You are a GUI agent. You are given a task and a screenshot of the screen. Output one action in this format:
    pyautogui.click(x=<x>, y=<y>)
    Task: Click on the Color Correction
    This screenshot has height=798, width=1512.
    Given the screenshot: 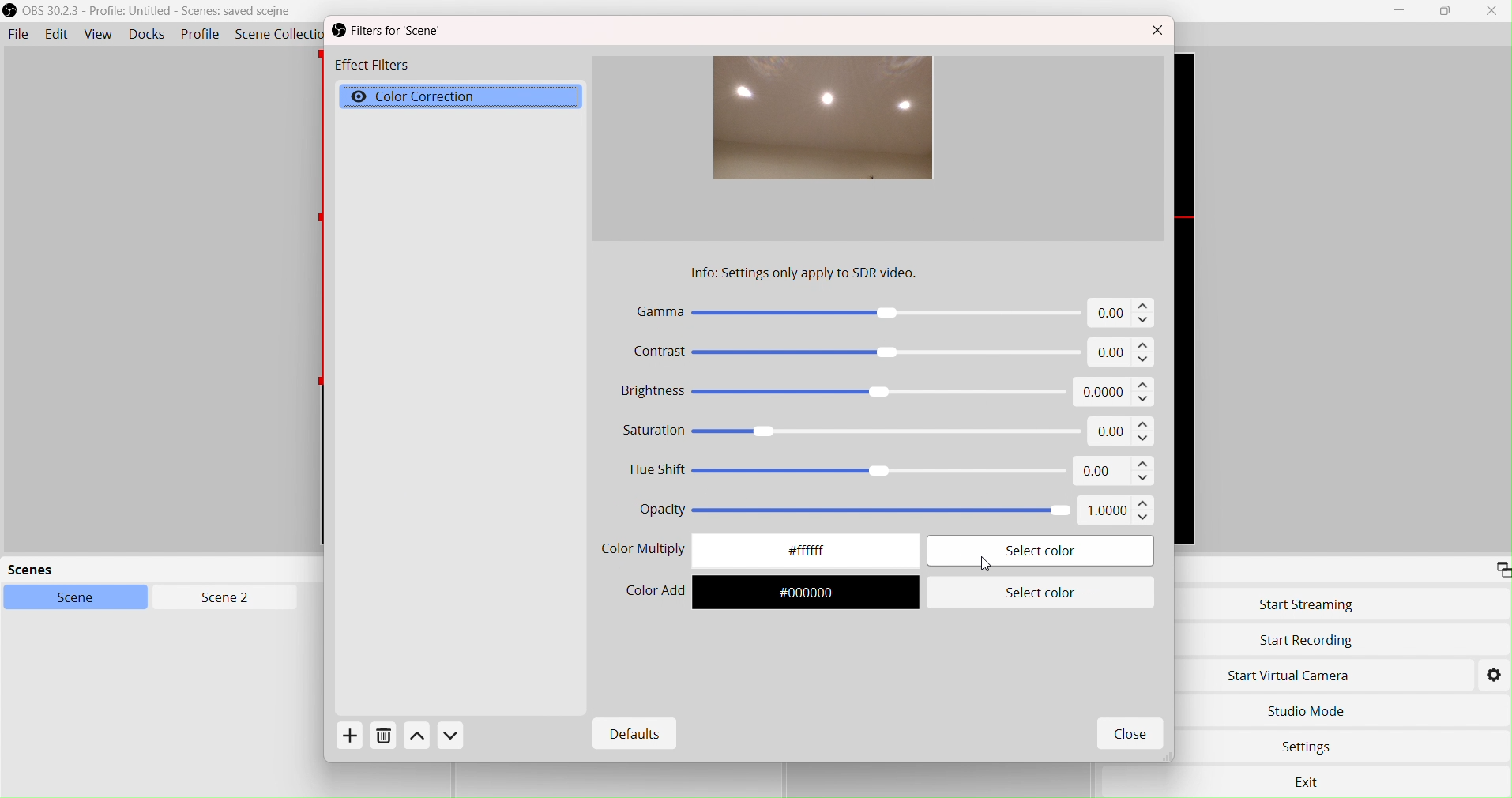 What is the action you would take?
    pyautogui.click(x=434, y=97)
    